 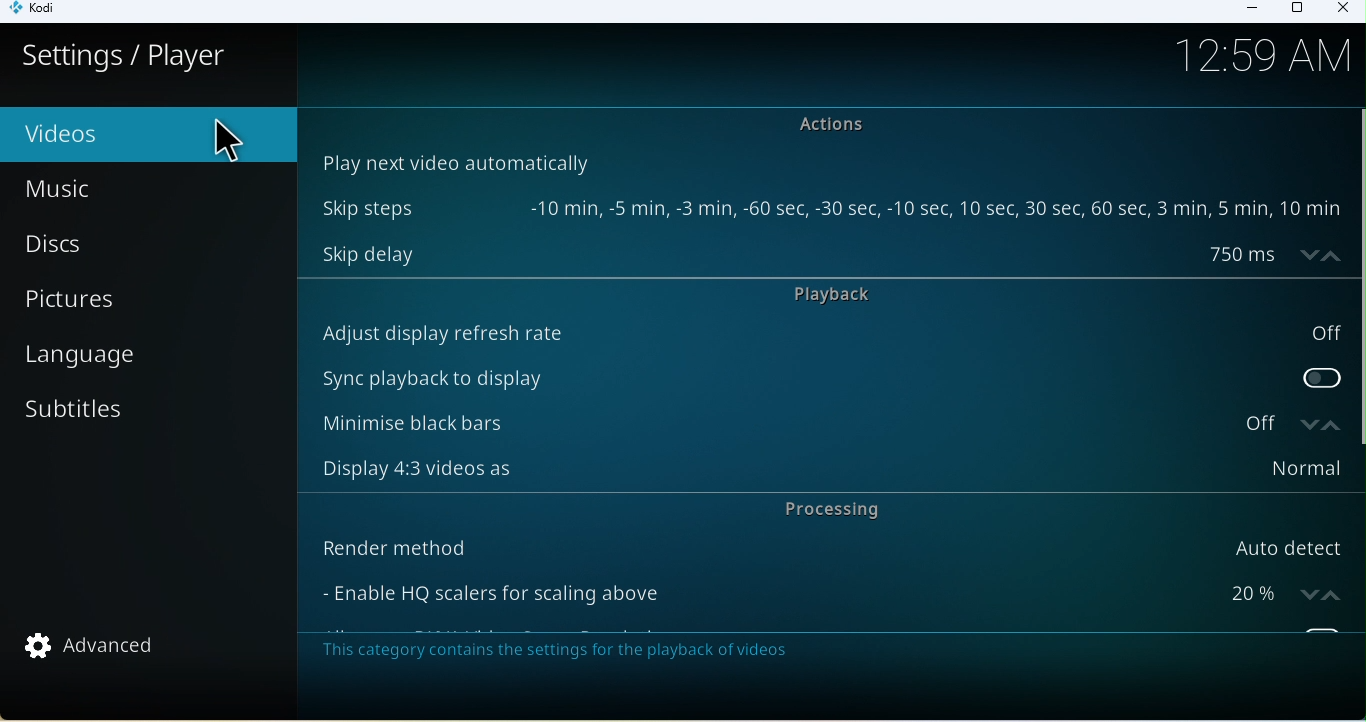 What do you see at coordinates (1315, 254) in the screenshot?
I see `increase/decrease` at bounding box center [1315, 254].